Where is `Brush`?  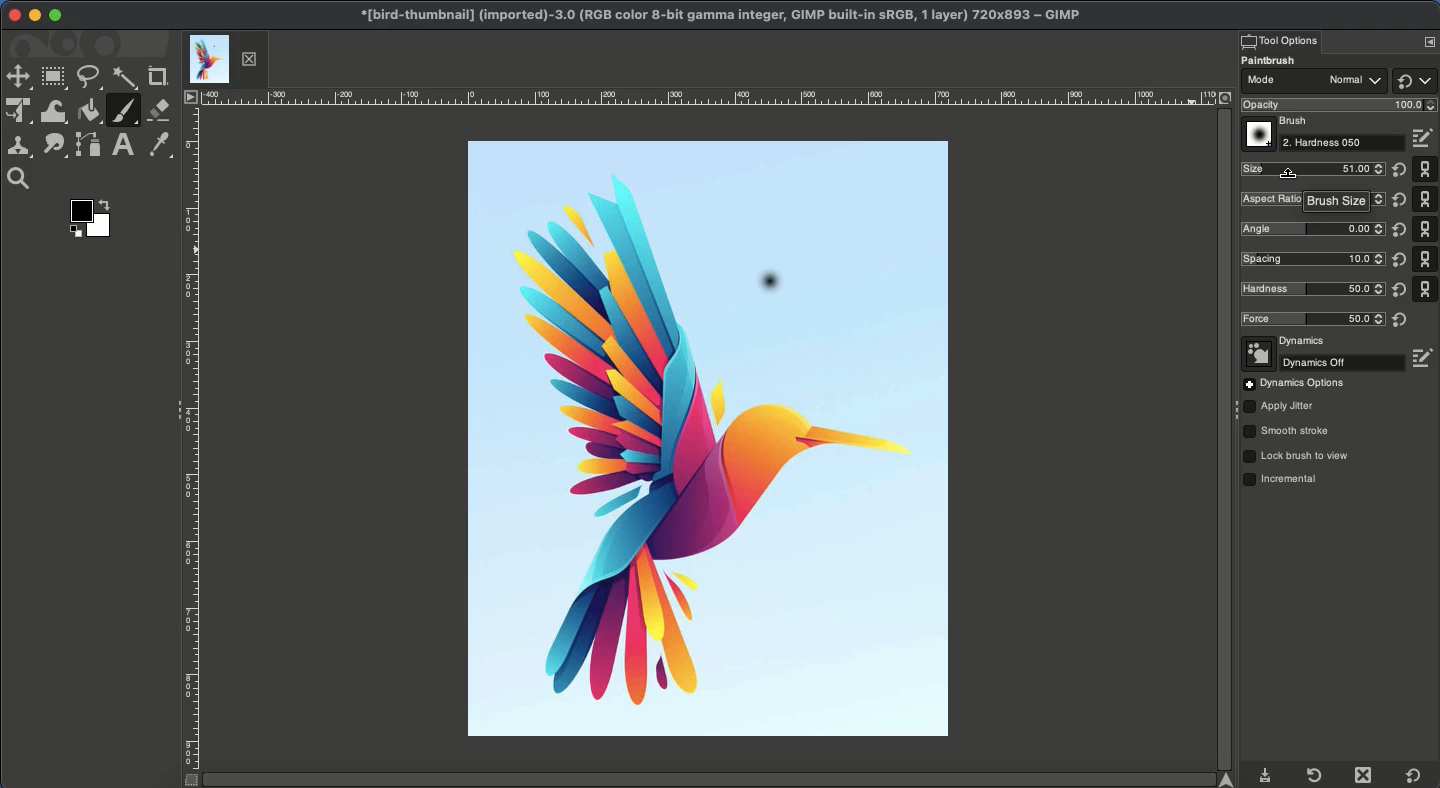 Brush is located at coordinates (1278, 122).